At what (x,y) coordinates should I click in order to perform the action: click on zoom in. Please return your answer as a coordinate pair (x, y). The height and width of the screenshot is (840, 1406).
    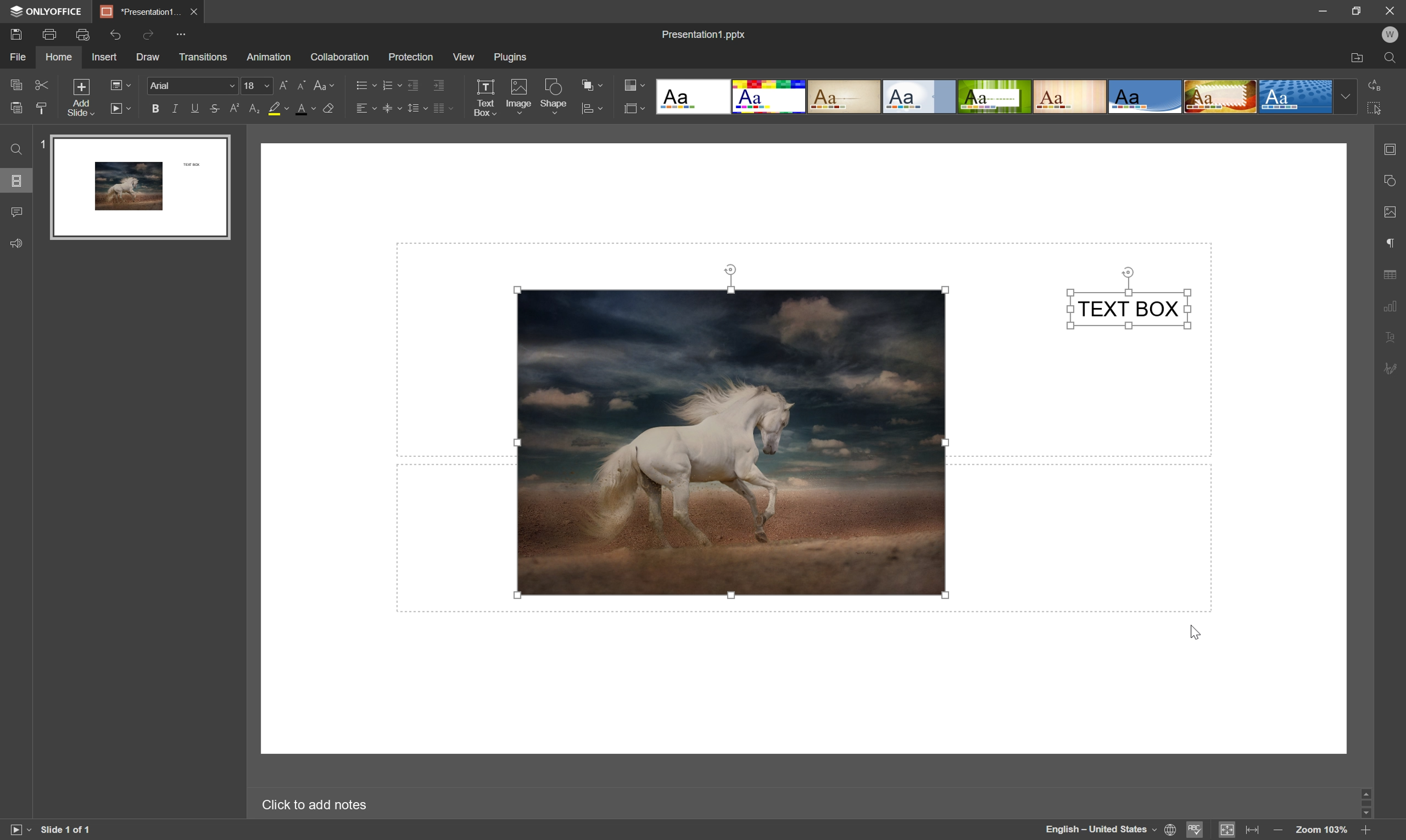
    Looking at the image, I should click on (1366, 831).